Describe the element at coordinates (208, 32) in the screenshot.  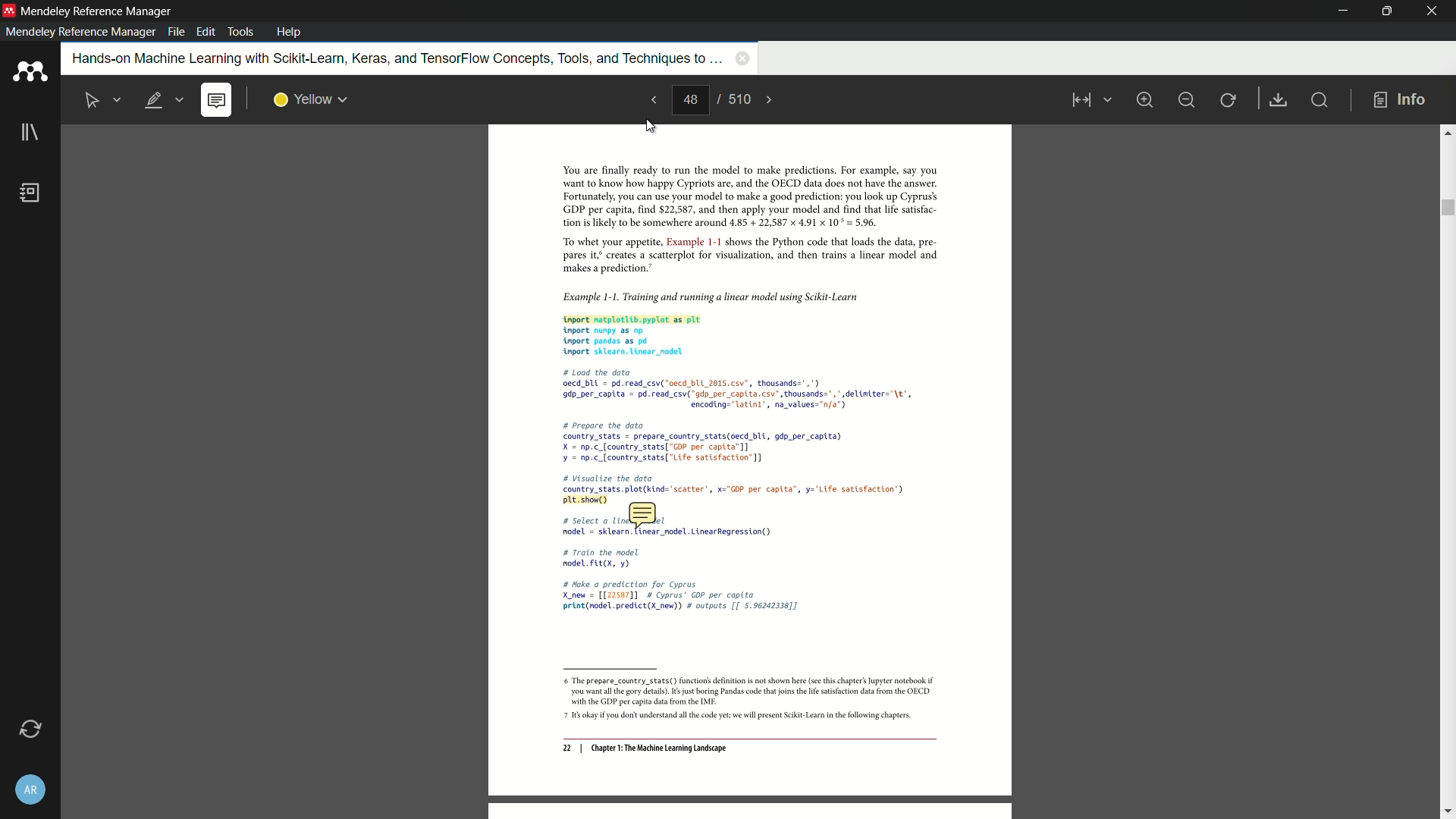
I see `edit menu` at that location.